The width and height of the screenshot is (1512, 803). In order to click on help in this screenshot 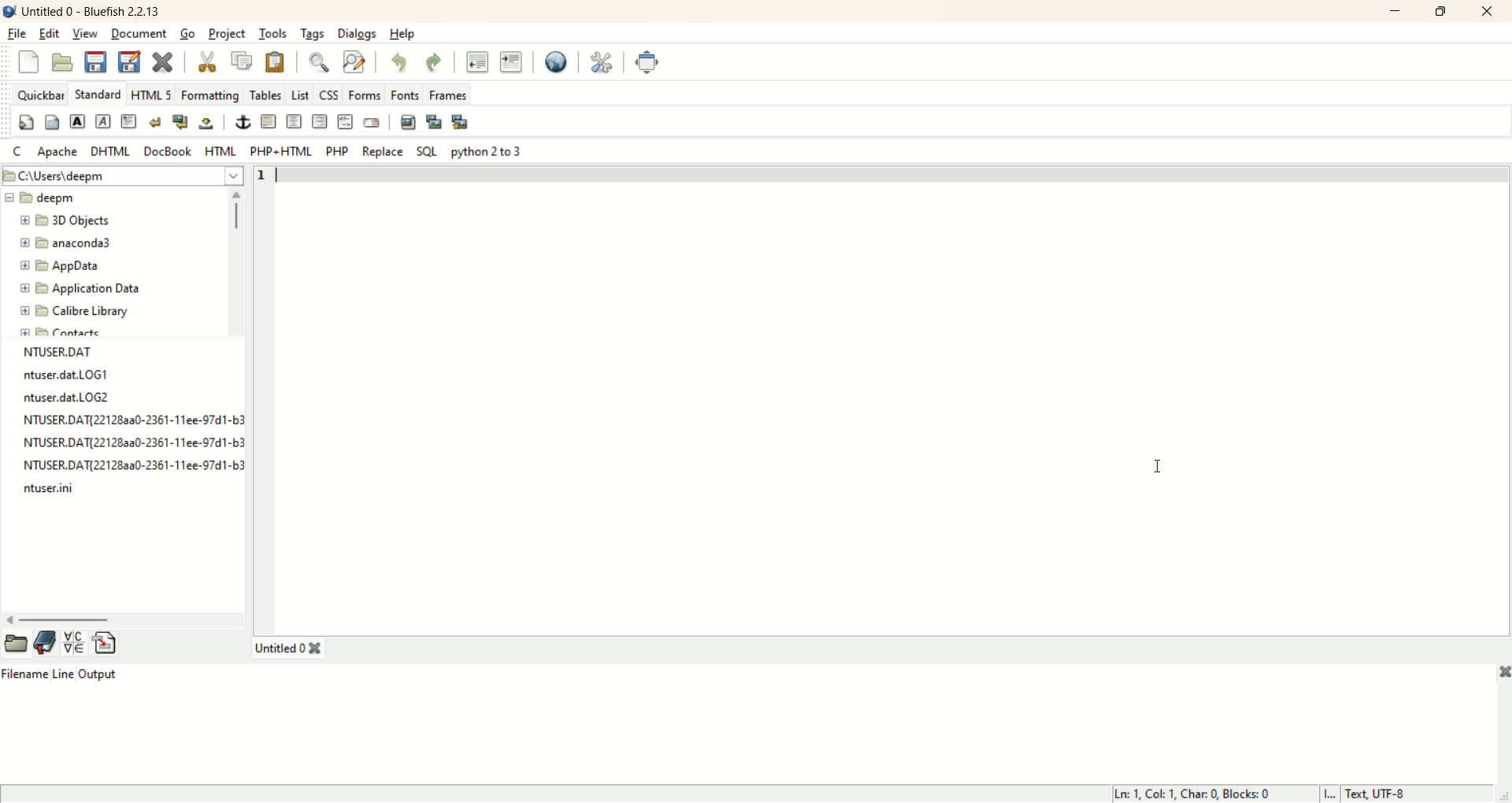, I will do `click(402, 32)`.